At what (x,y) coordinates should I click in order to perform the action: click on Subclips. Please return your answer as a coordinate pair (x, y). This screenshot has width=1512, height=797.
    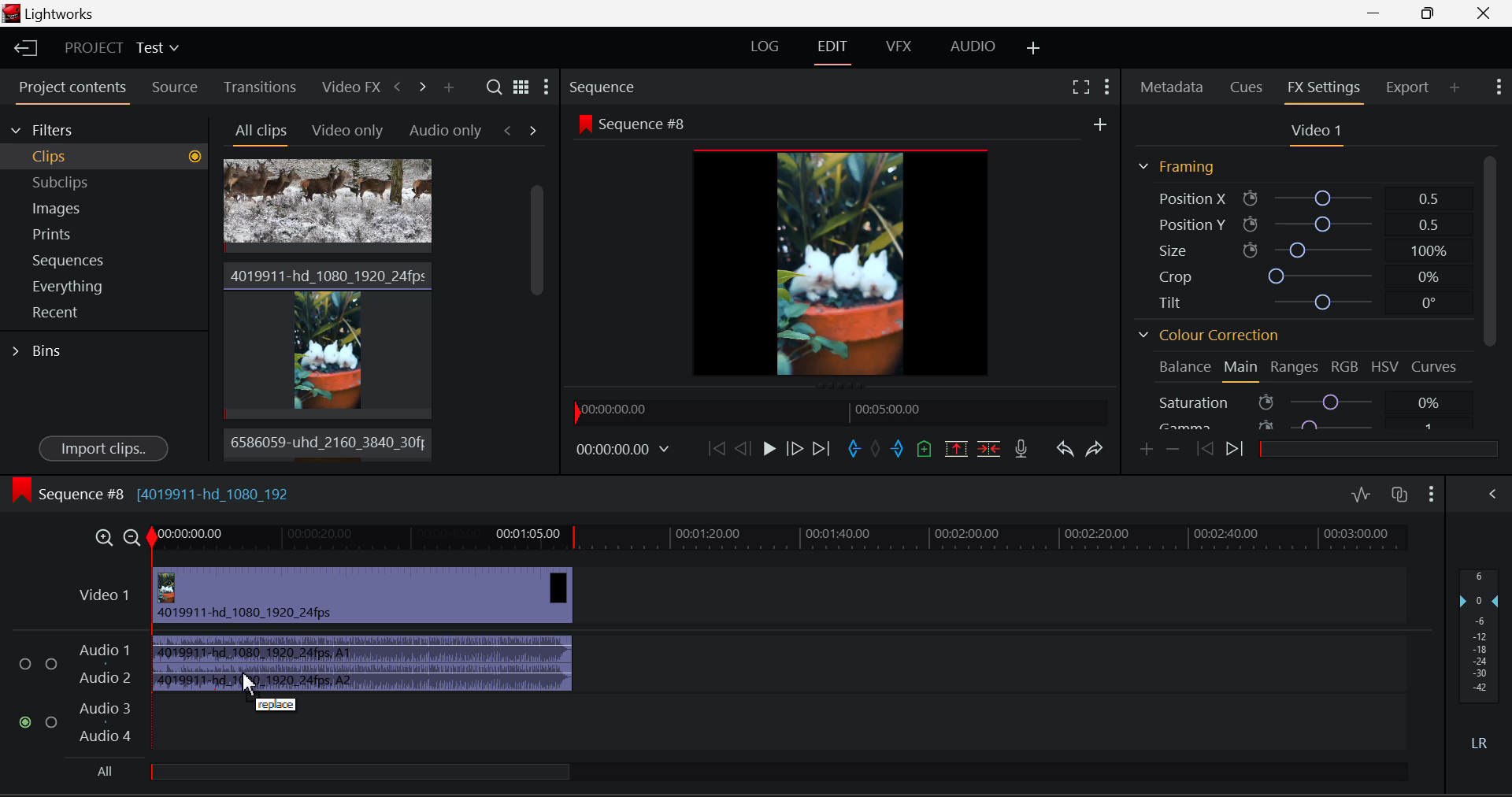
    Looking at the image, I should click on (105, 182).